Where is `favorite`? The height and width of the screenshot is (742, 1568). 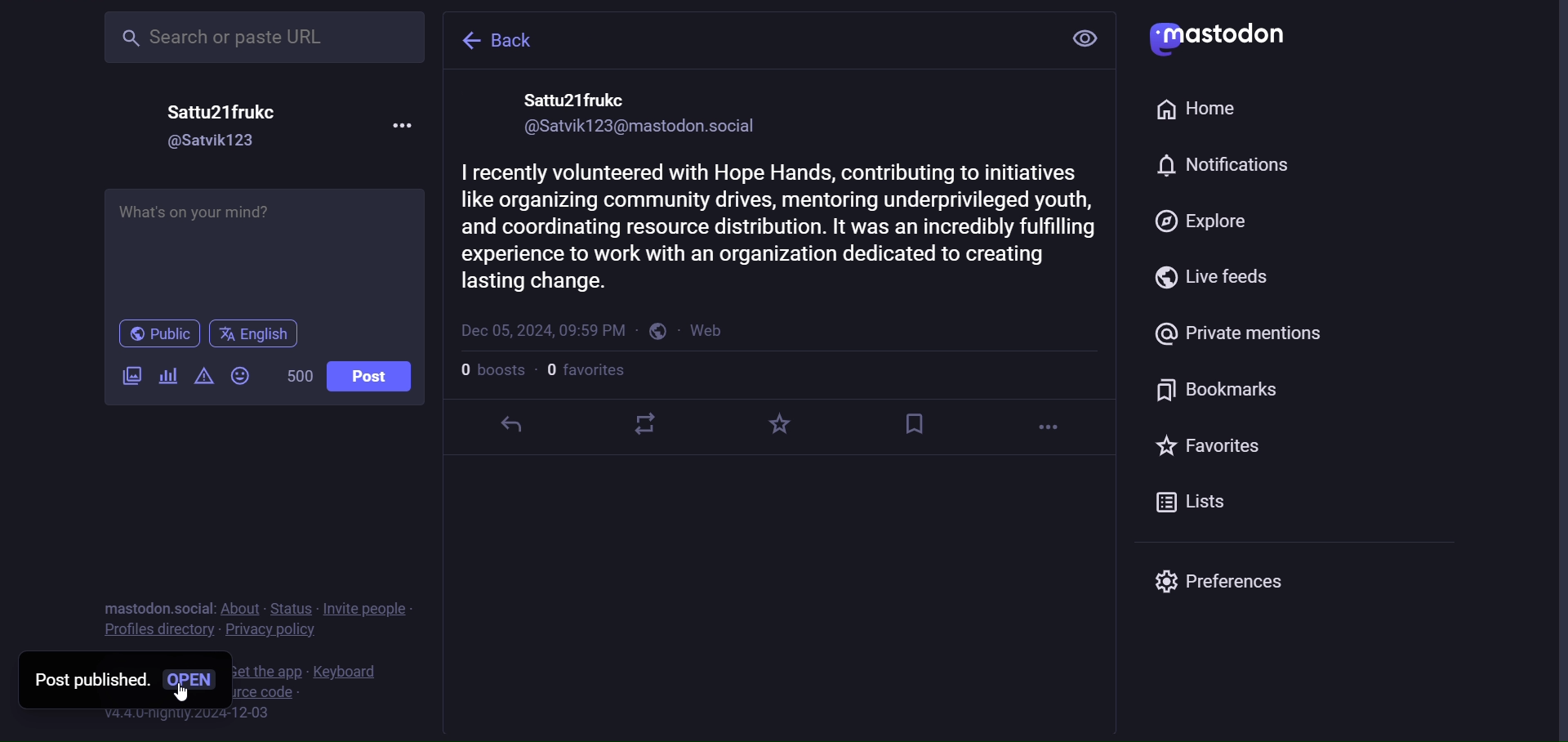 favorite is located at coordinates (779, 424).